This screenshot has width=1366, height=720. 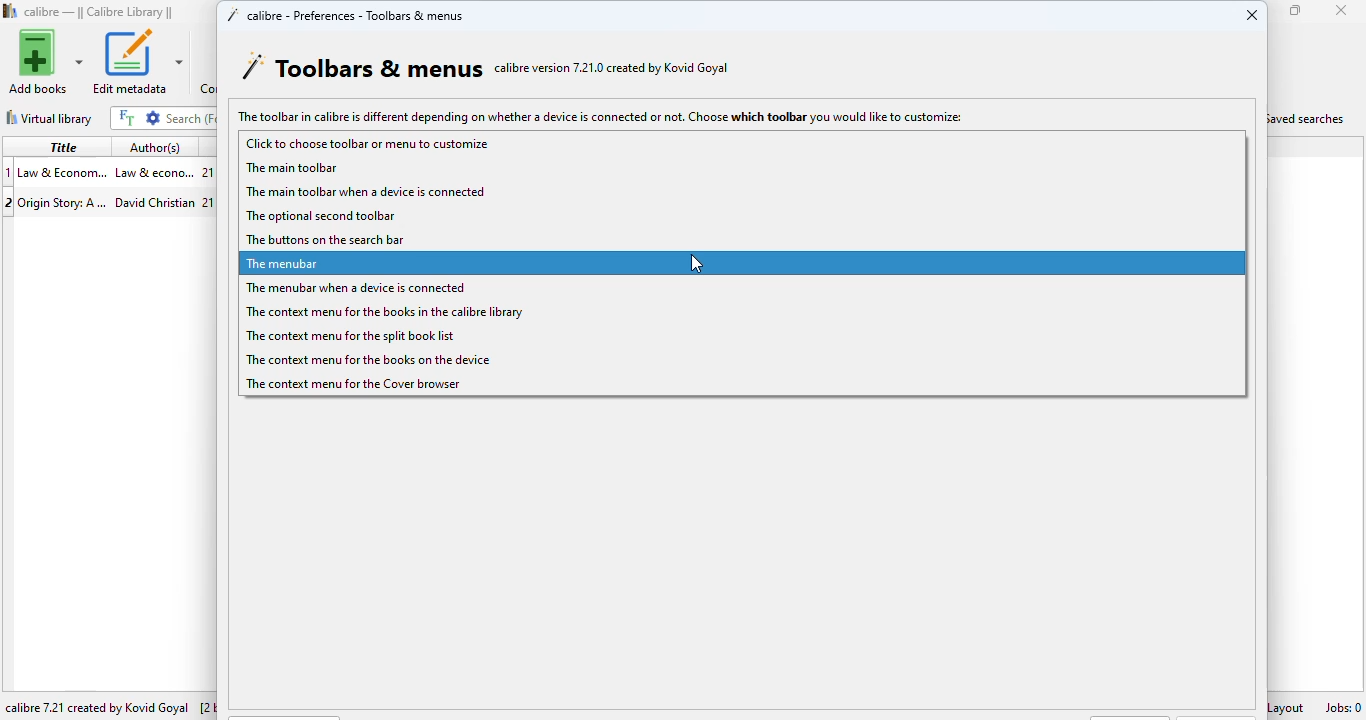 What do you see at coordinates (1296, 10) in the screenshot?
I see `maximize` at bounding box center [1296, 10].